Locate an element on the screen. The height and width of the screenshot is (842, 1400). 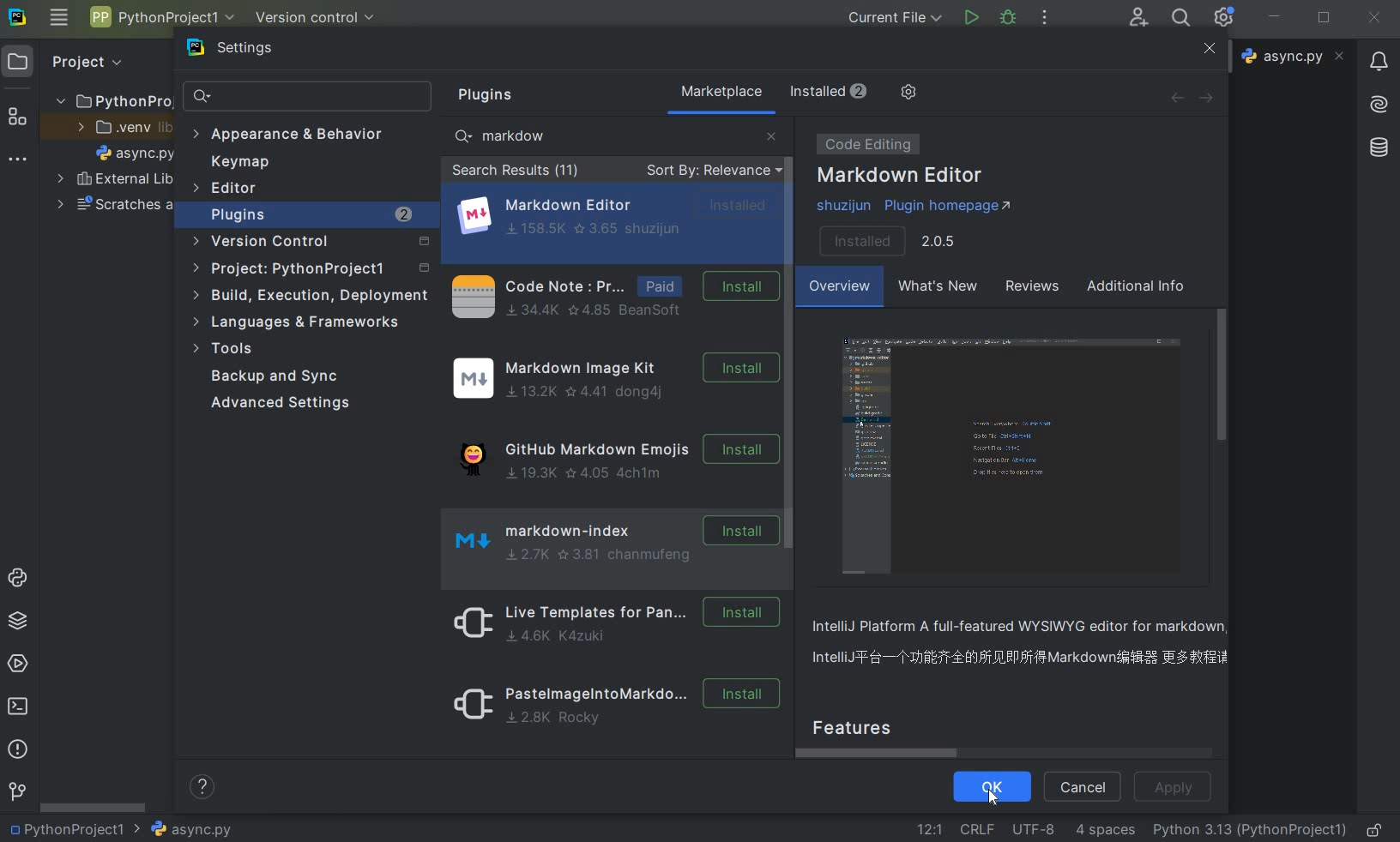
more tool windows is located at coordinates (18, 162).